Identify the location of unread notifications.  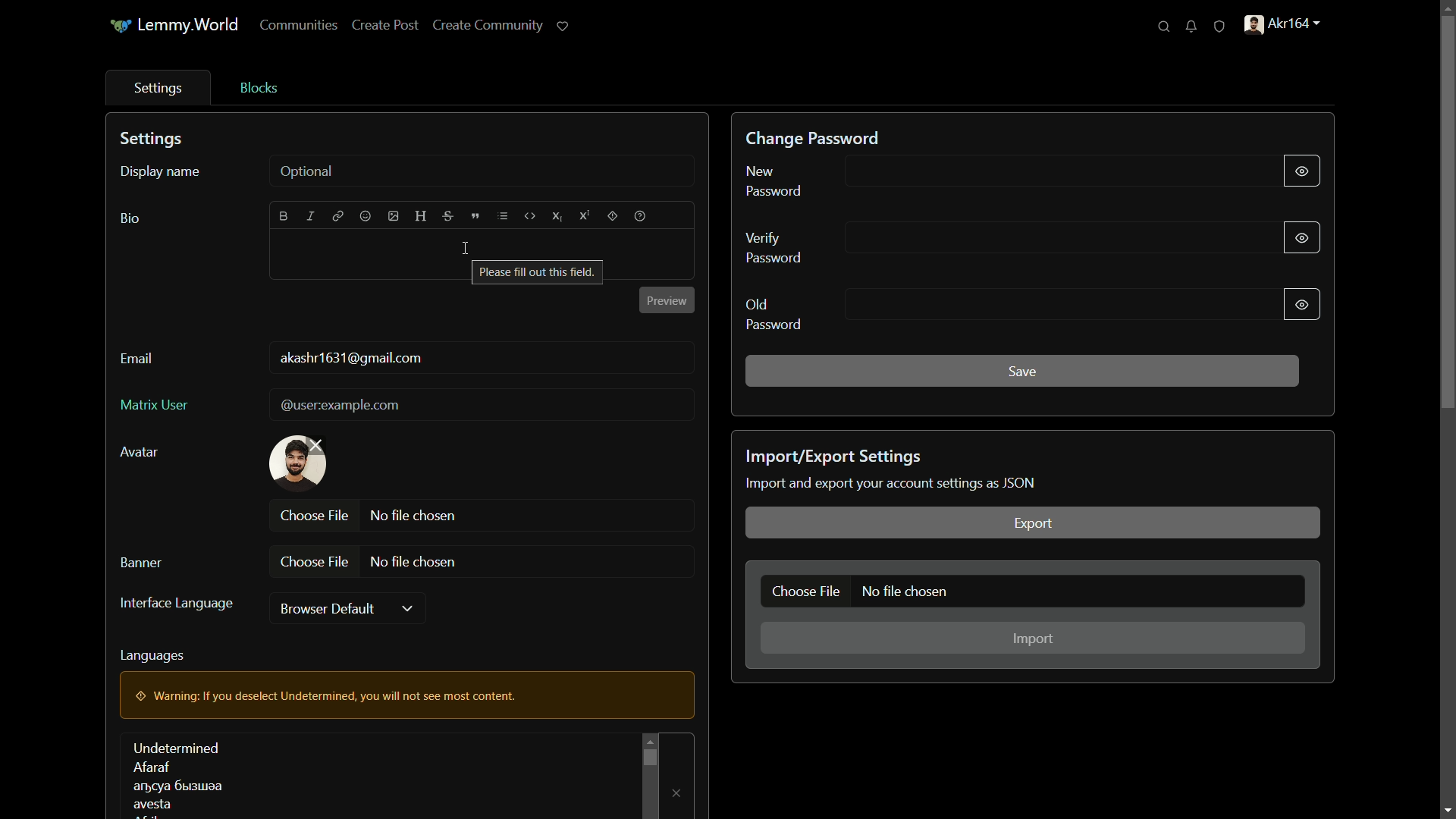
(1191, 26).